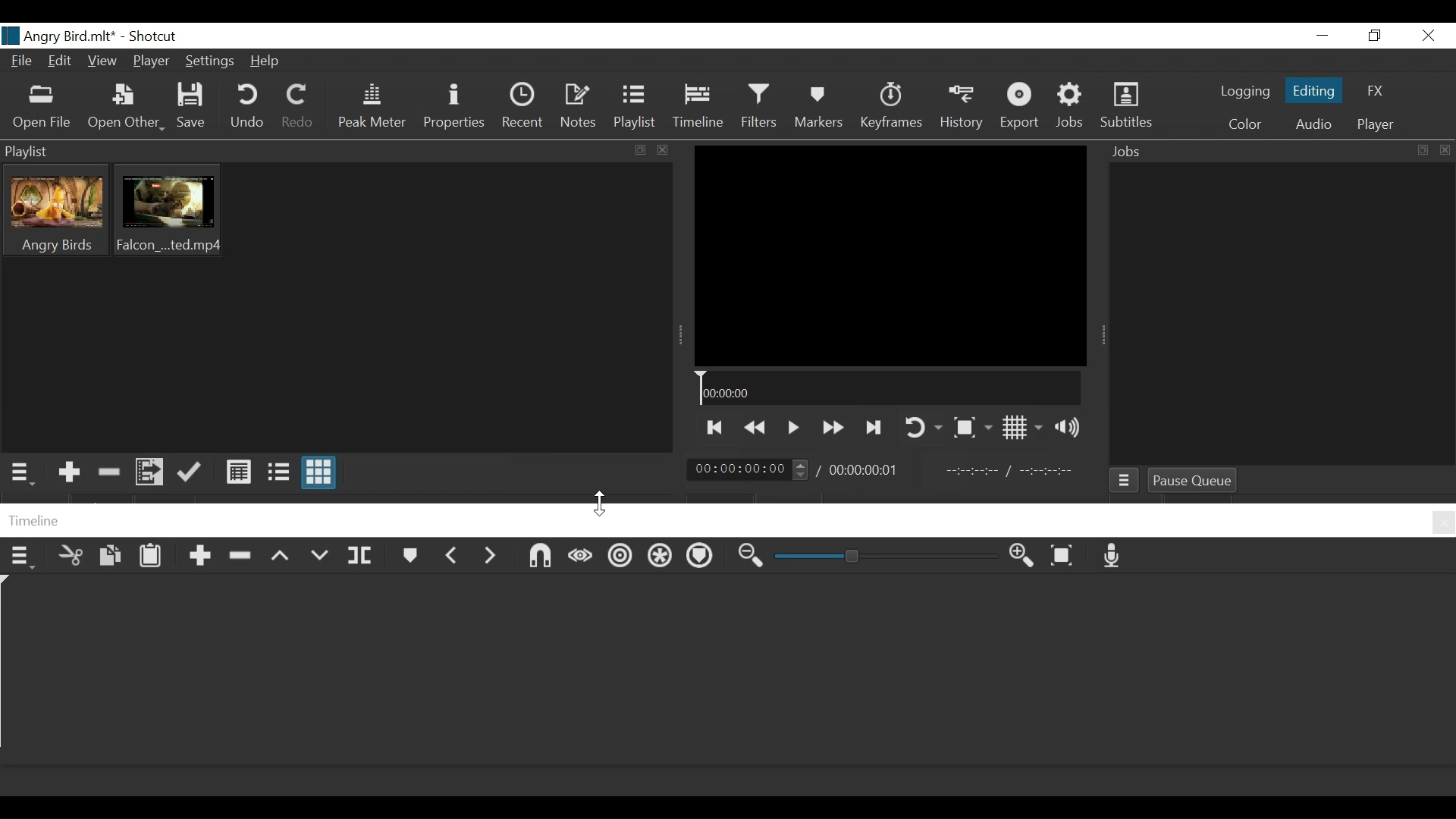 This screenshot has width=1456, height=819. I want to click on logging, so click(1245, 93).